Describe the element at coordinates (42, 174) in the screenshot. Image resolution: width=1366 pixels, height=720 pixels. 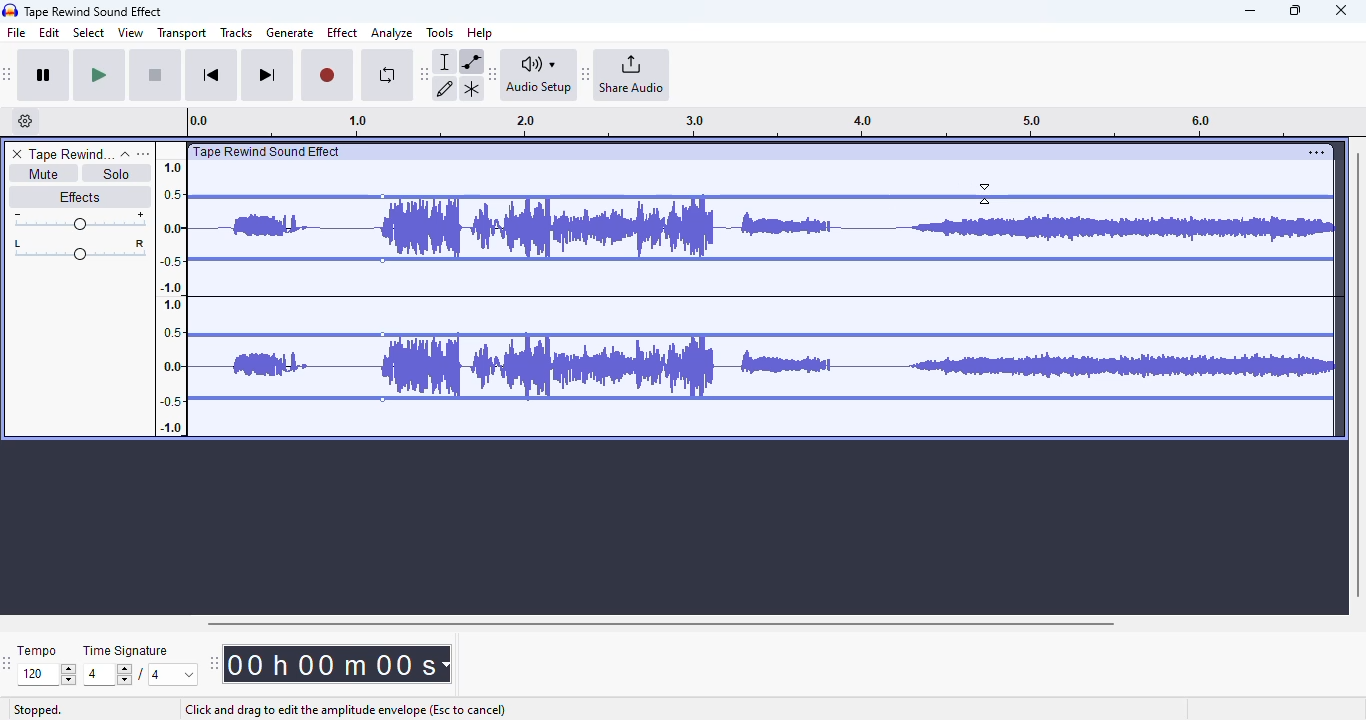
I see `mute` at that location.